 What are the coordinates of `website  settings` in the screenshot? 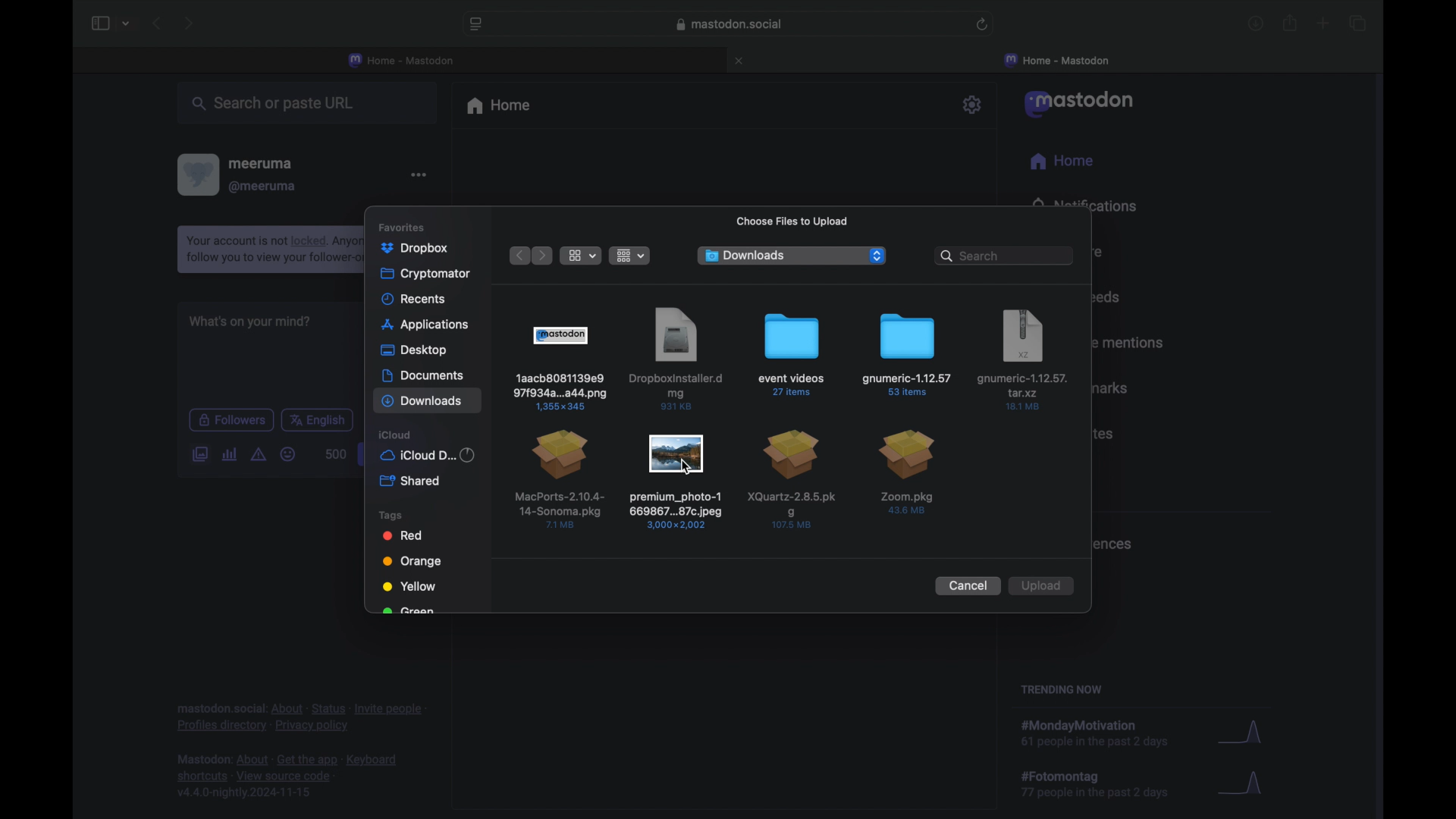 It's located at (477, 25).